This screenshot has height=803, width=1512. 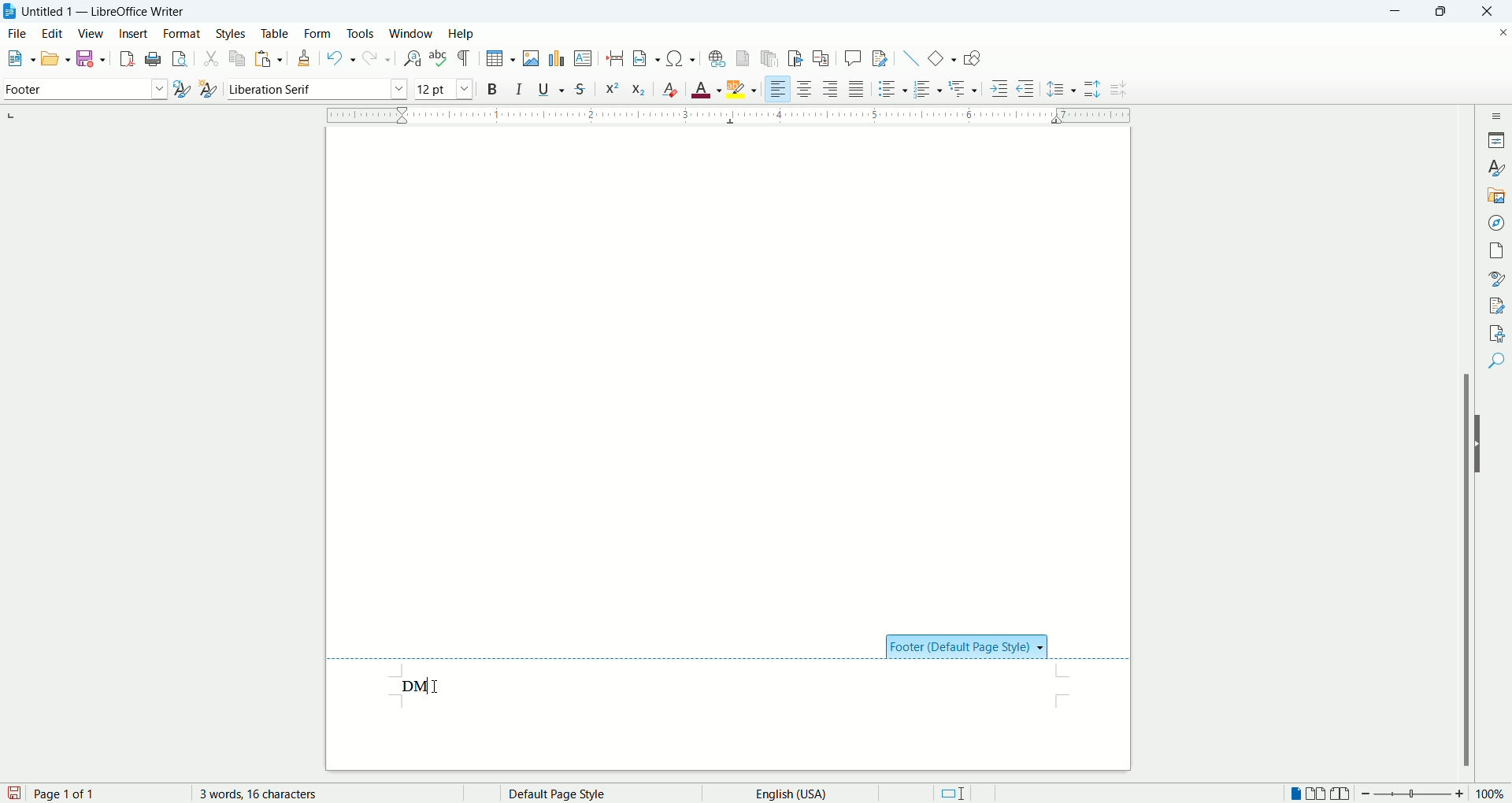 What do you see at coordinates (133, 33) in the screenshot?
I see `insert` at bounding box center [133, 33].